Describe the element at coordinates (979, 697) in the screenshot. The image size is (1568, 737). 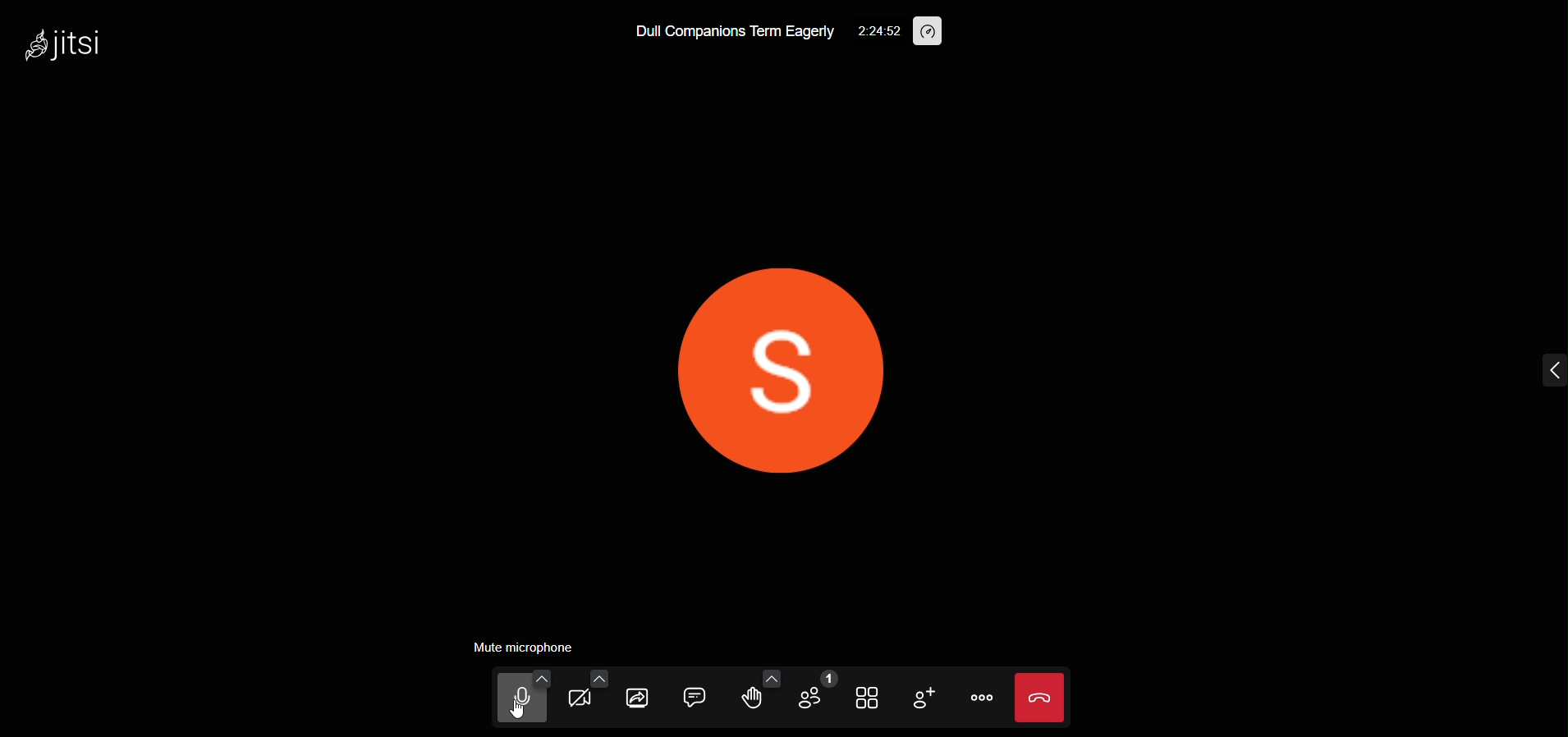
I see `more` at that location.